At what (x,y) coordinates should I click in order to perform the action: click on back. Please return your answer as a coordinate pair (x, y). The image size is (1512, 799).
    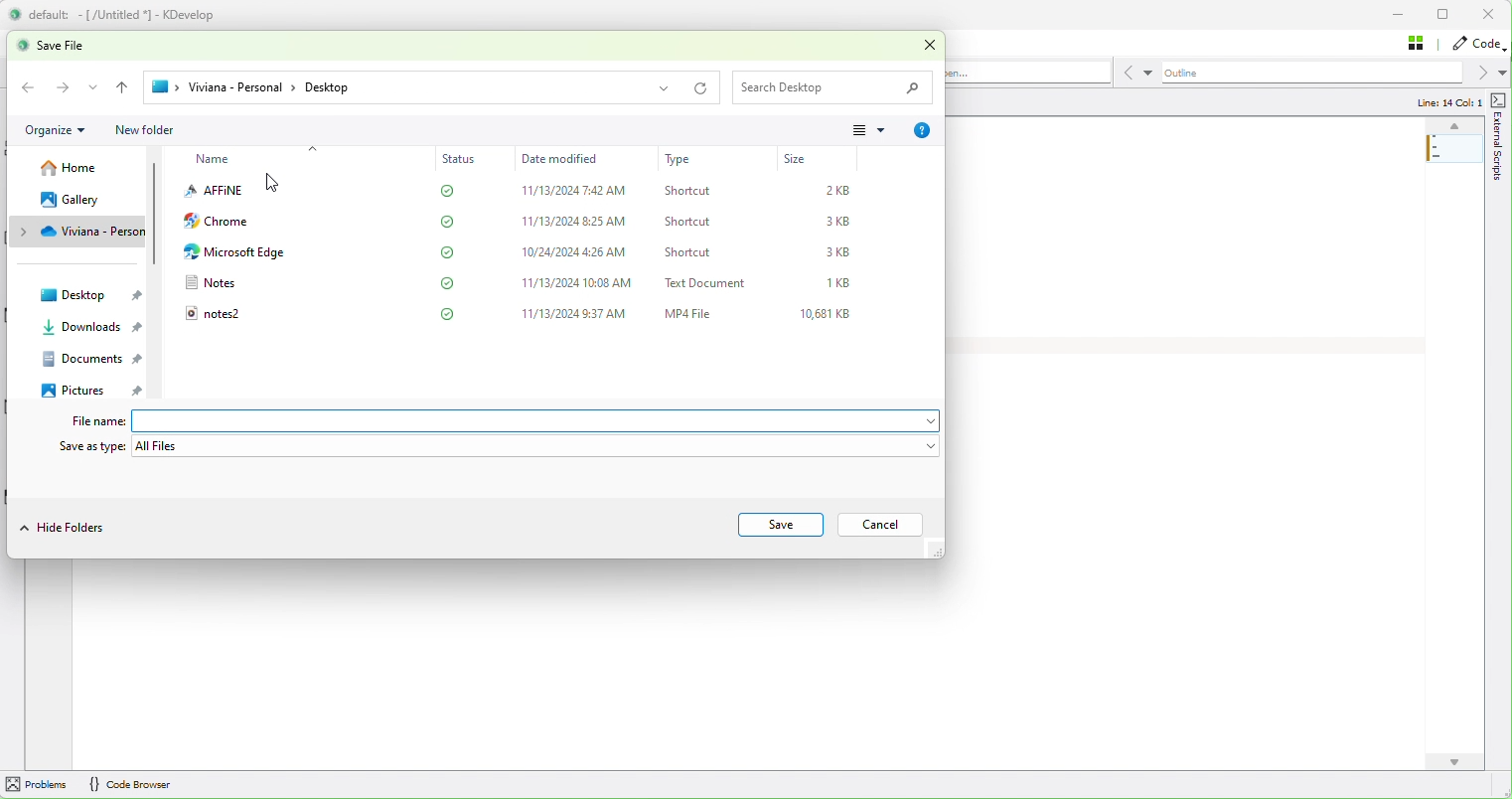
    Looking at the image, I should click on (123, 87).